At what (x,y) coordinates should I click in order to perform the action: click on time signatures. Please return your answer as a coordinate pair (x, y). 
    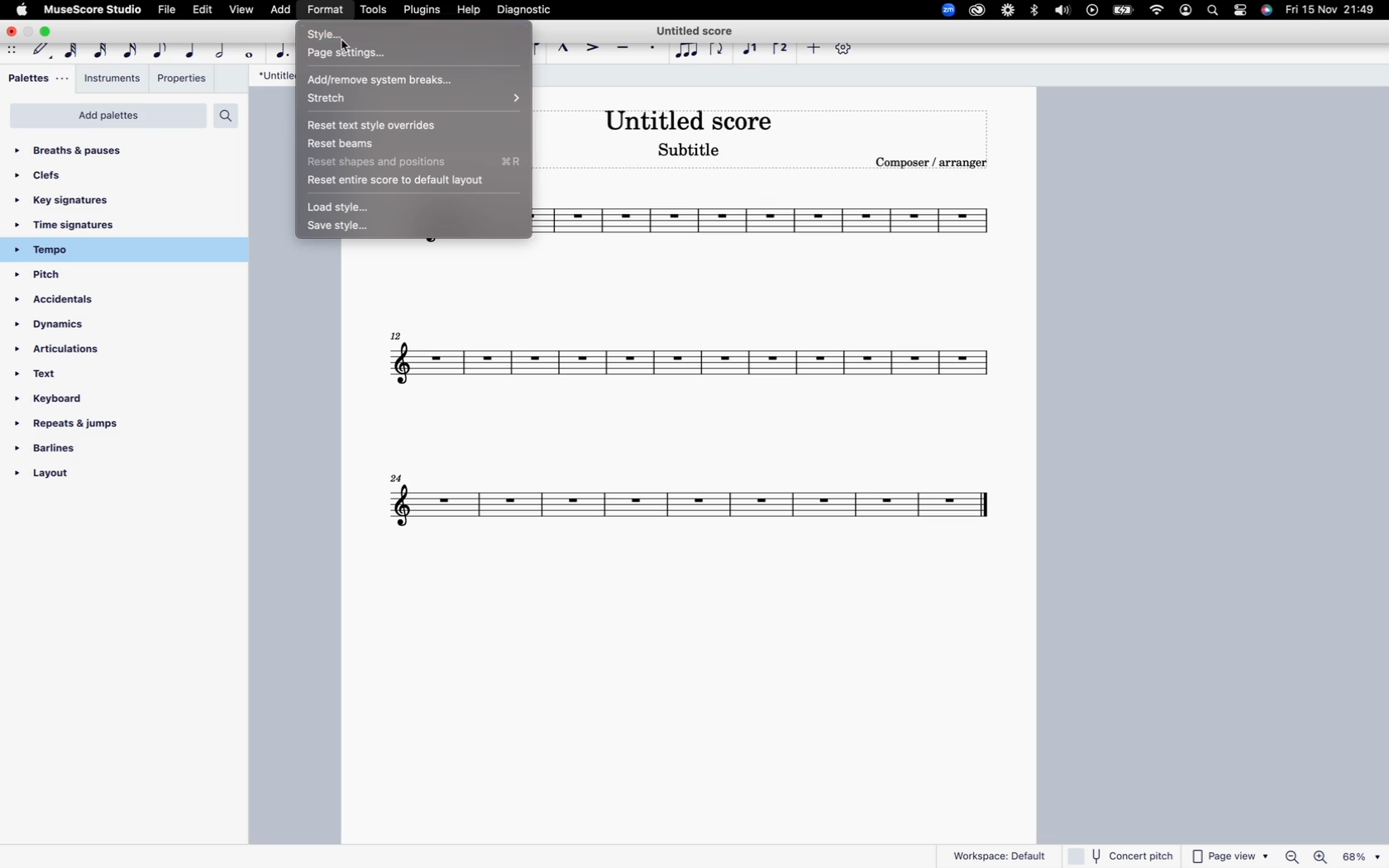
    Looking at the image, I should click on (94, 227).